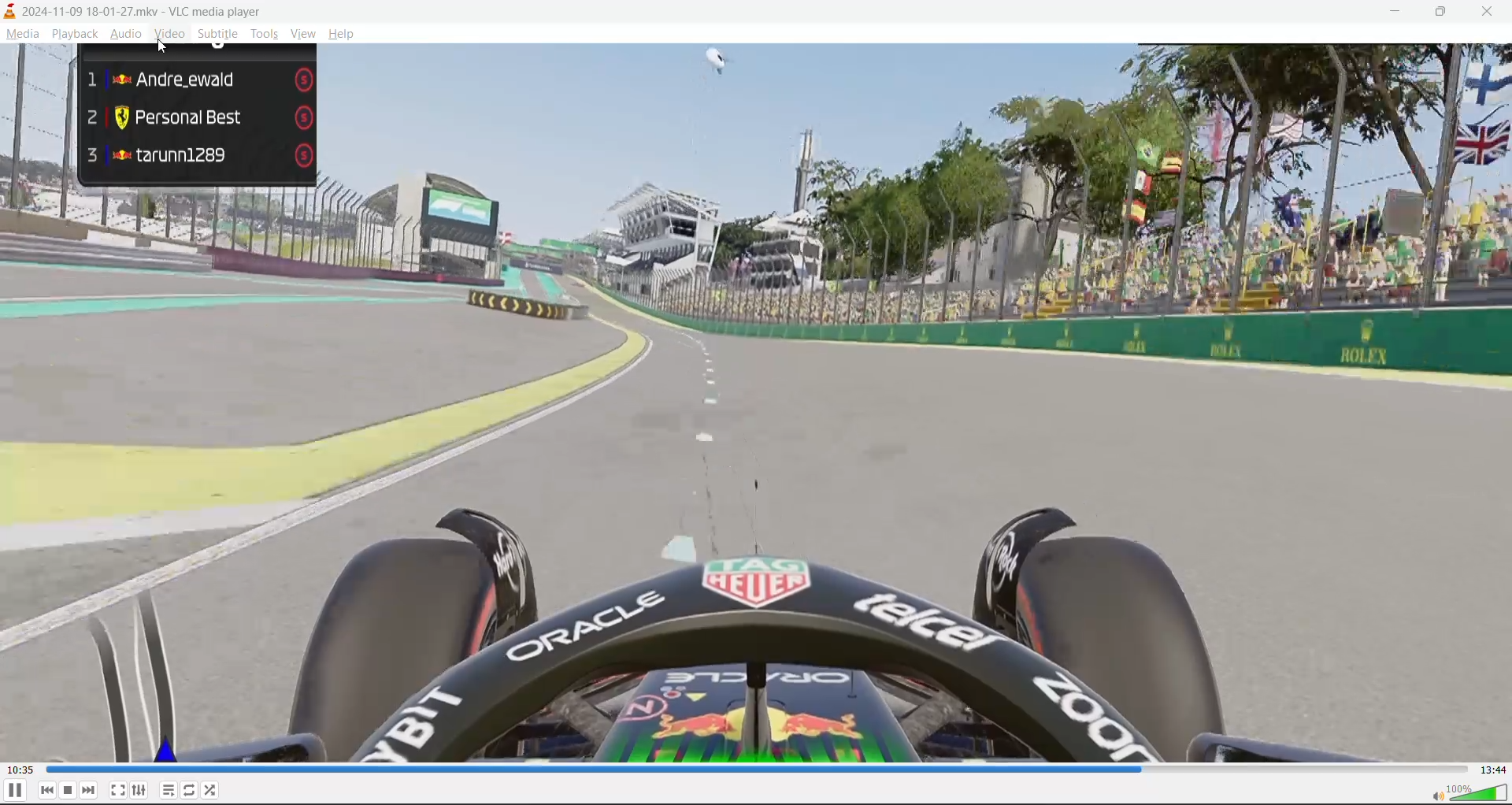 Image resolution: width=1512 pixels, height=805 pixels. What do you see at coordinates (168, 792) in the screenshot?
I see `toggle playlist` at bounding box center [168, 792].